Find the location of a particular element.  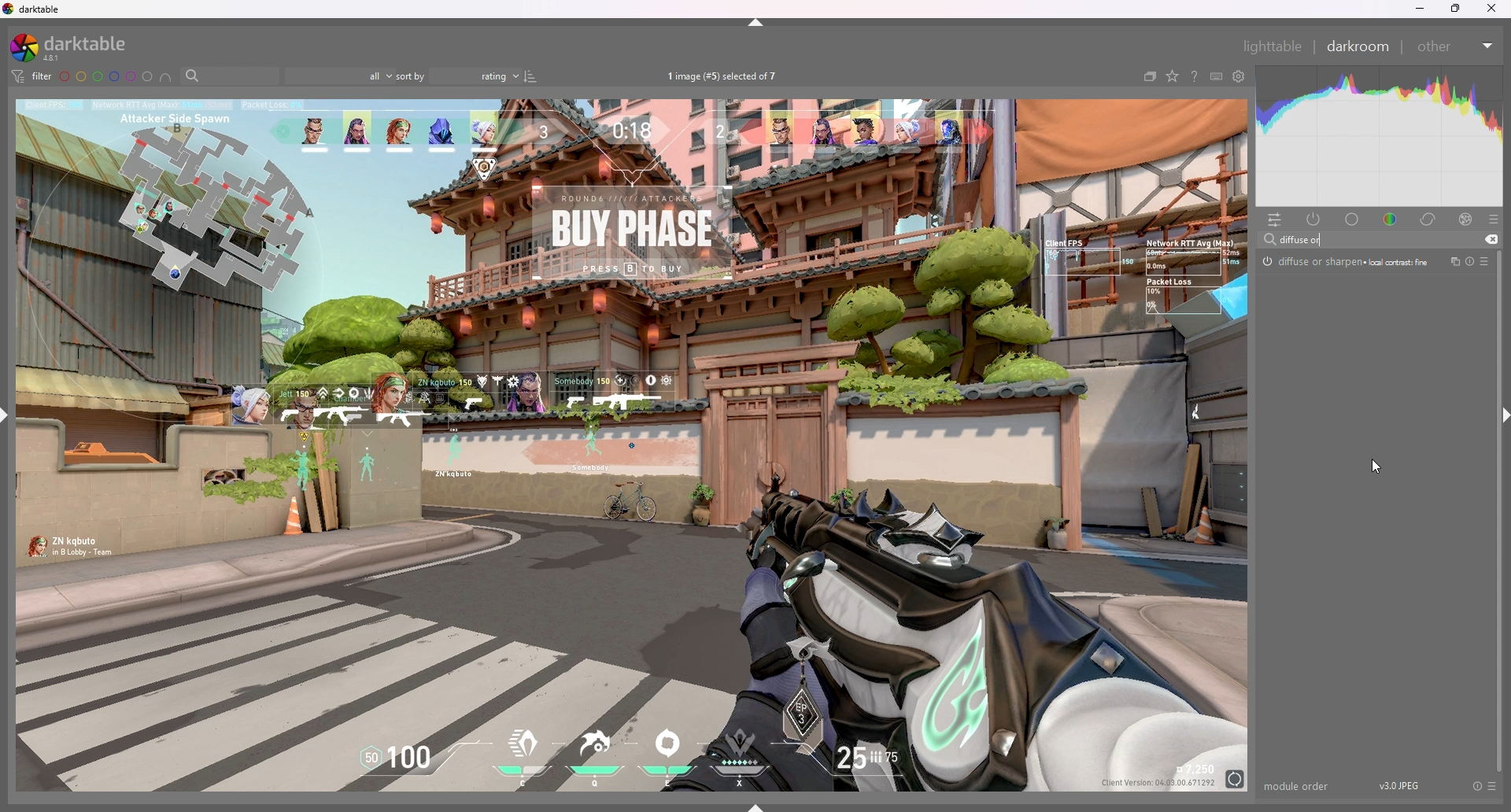

show global preferences is located at coordinates (1240, 76).